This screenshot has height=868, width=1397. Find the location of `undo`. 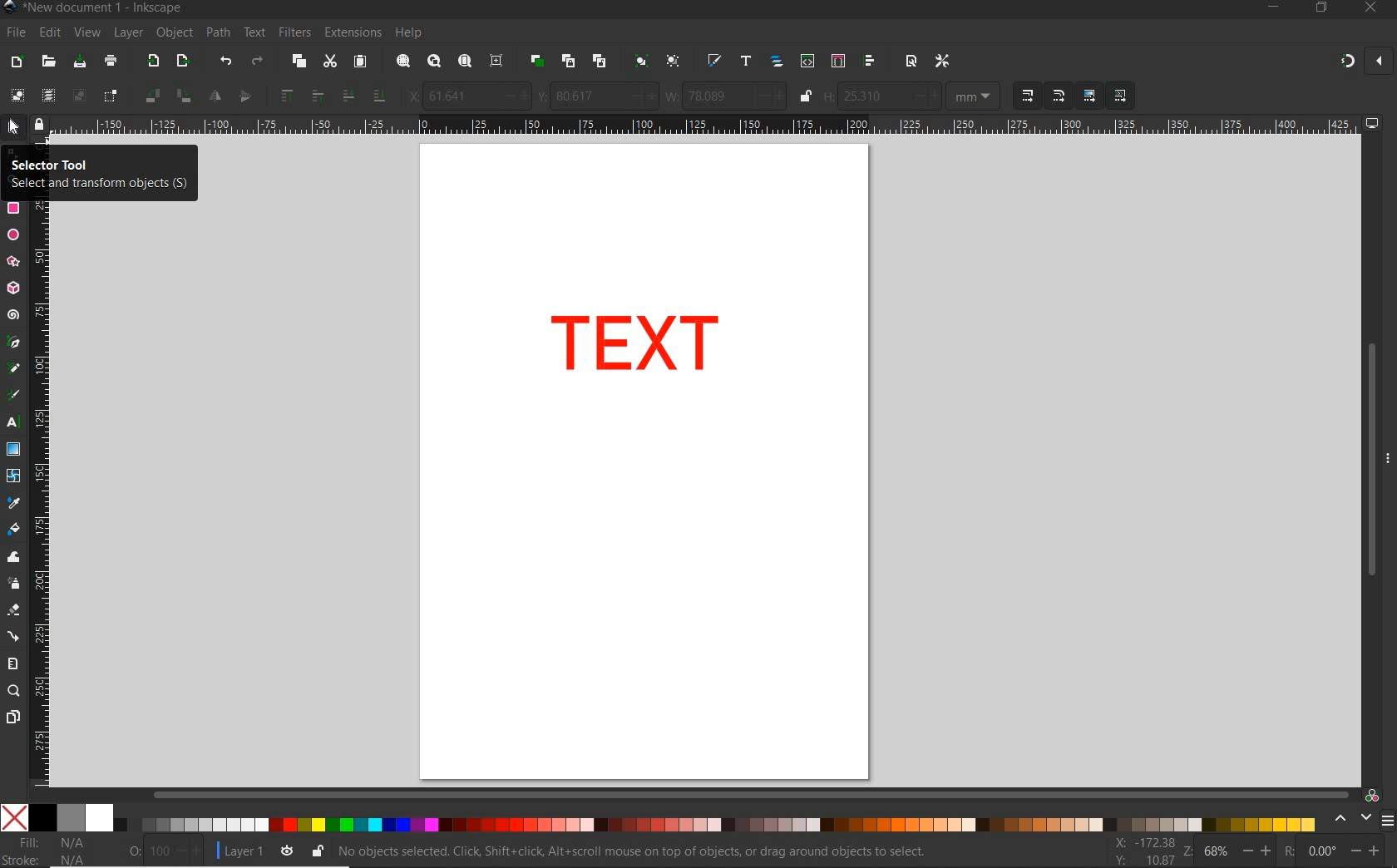

undo is located at coordinates (225, 62).